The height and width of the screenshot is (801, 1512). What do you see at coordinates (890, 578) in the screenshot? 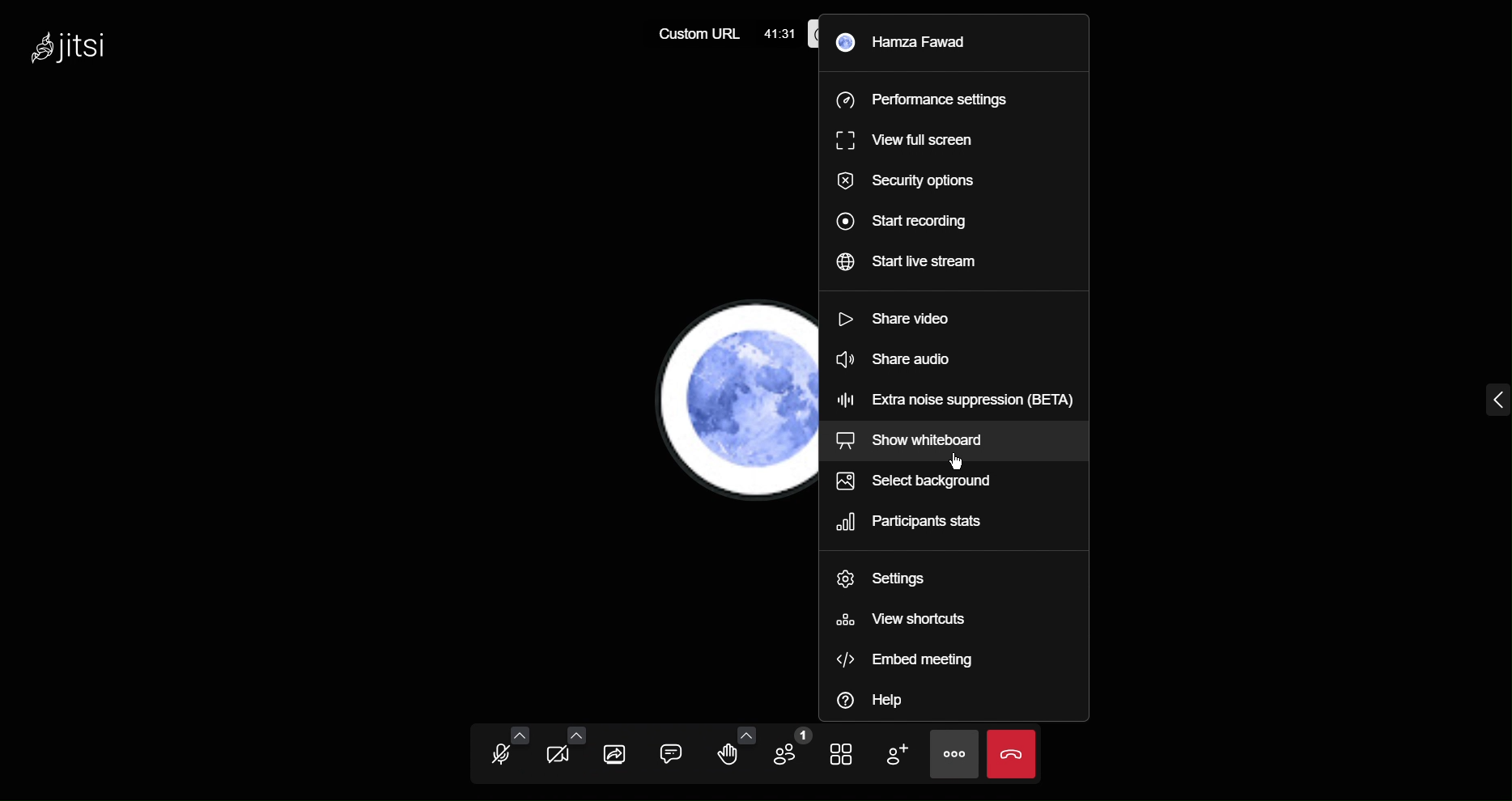
I see `Settings` at bounding box center [890, 578].